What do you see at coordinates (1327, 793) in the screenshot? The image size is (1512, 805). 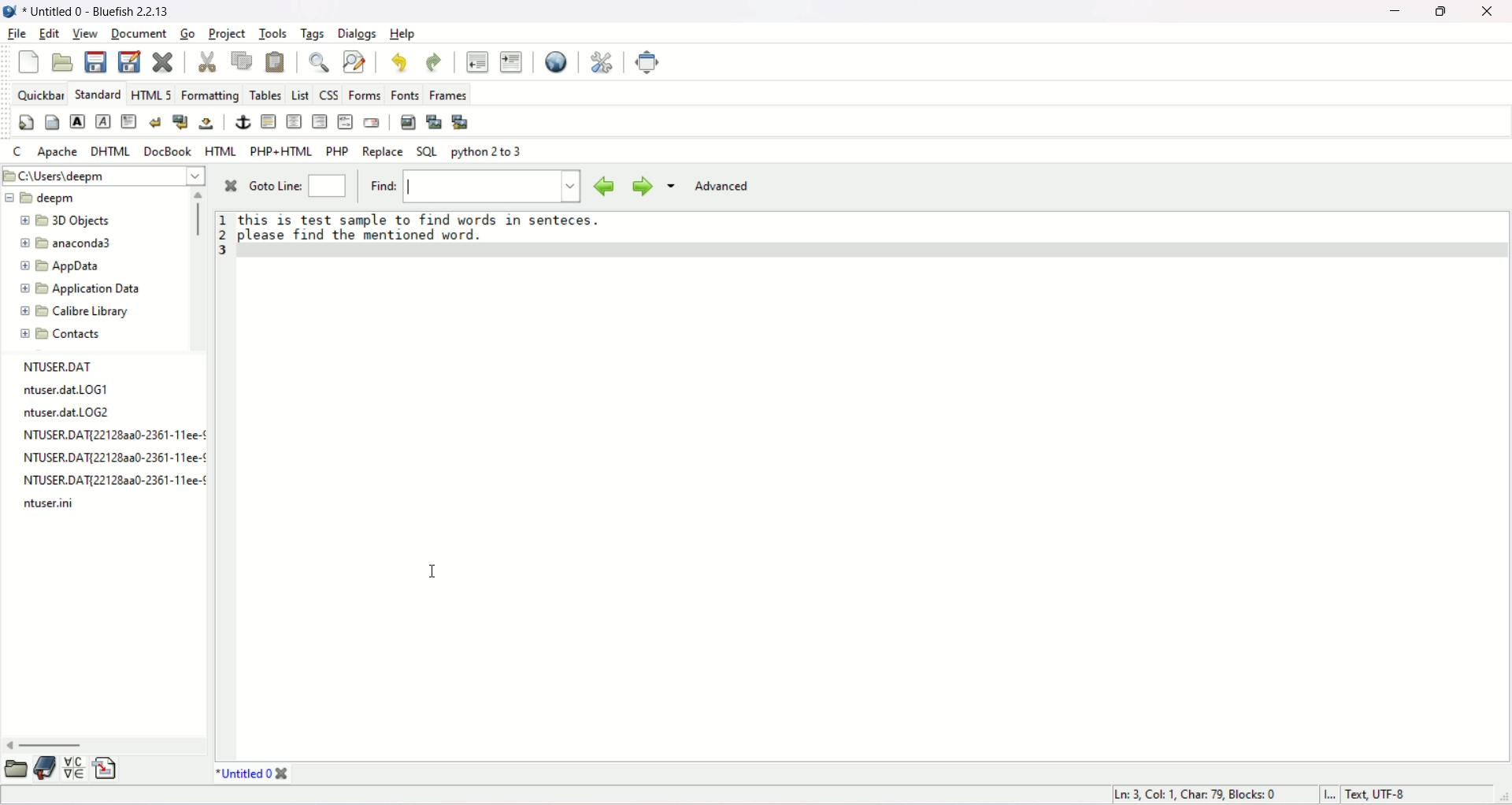 I see `Insert mode` at bounding box center [1327, 793].